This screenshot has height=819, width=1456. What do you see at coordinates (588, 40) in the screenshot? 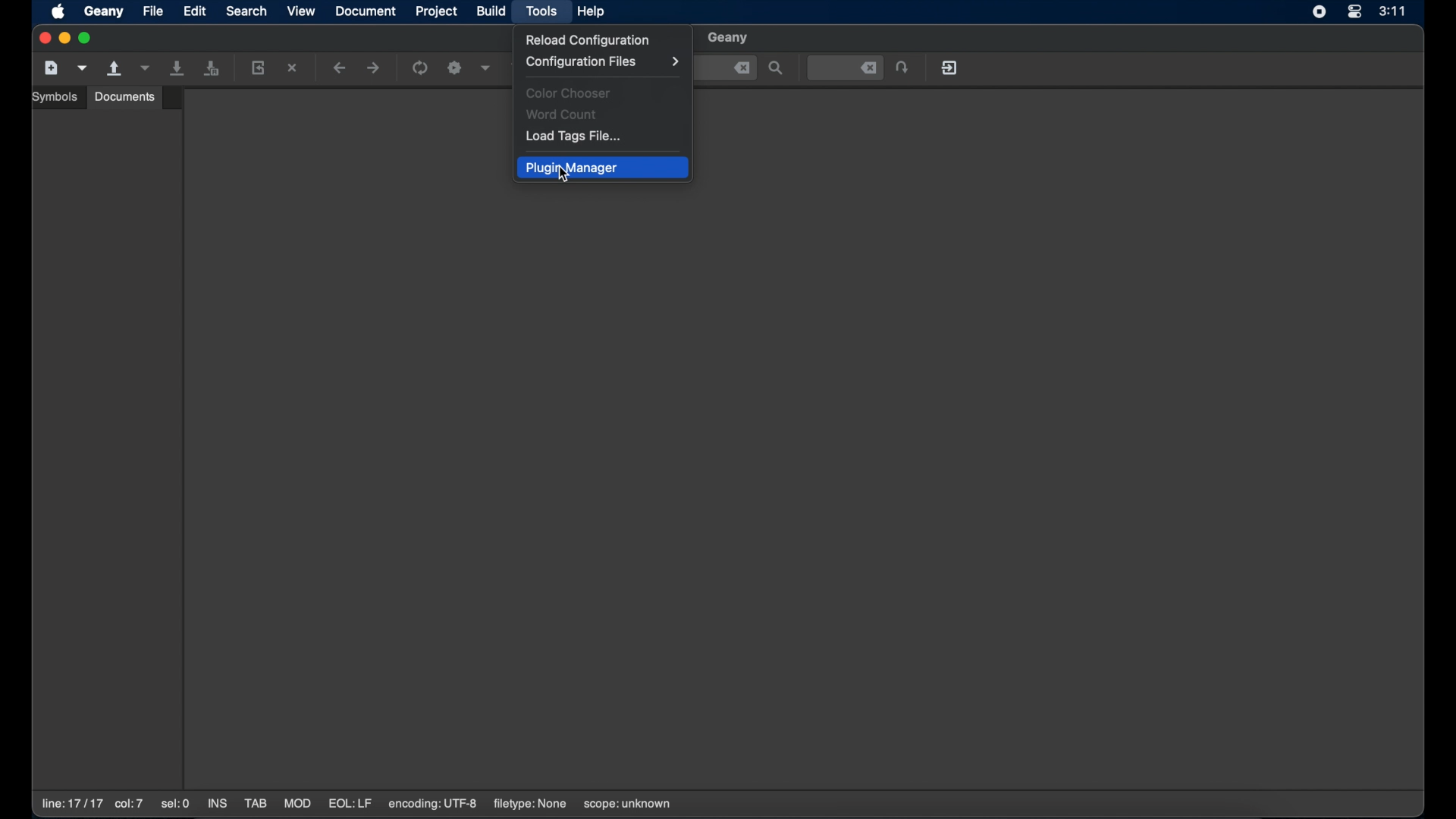
I see `reload configuration` at bounding box center [588, 40].